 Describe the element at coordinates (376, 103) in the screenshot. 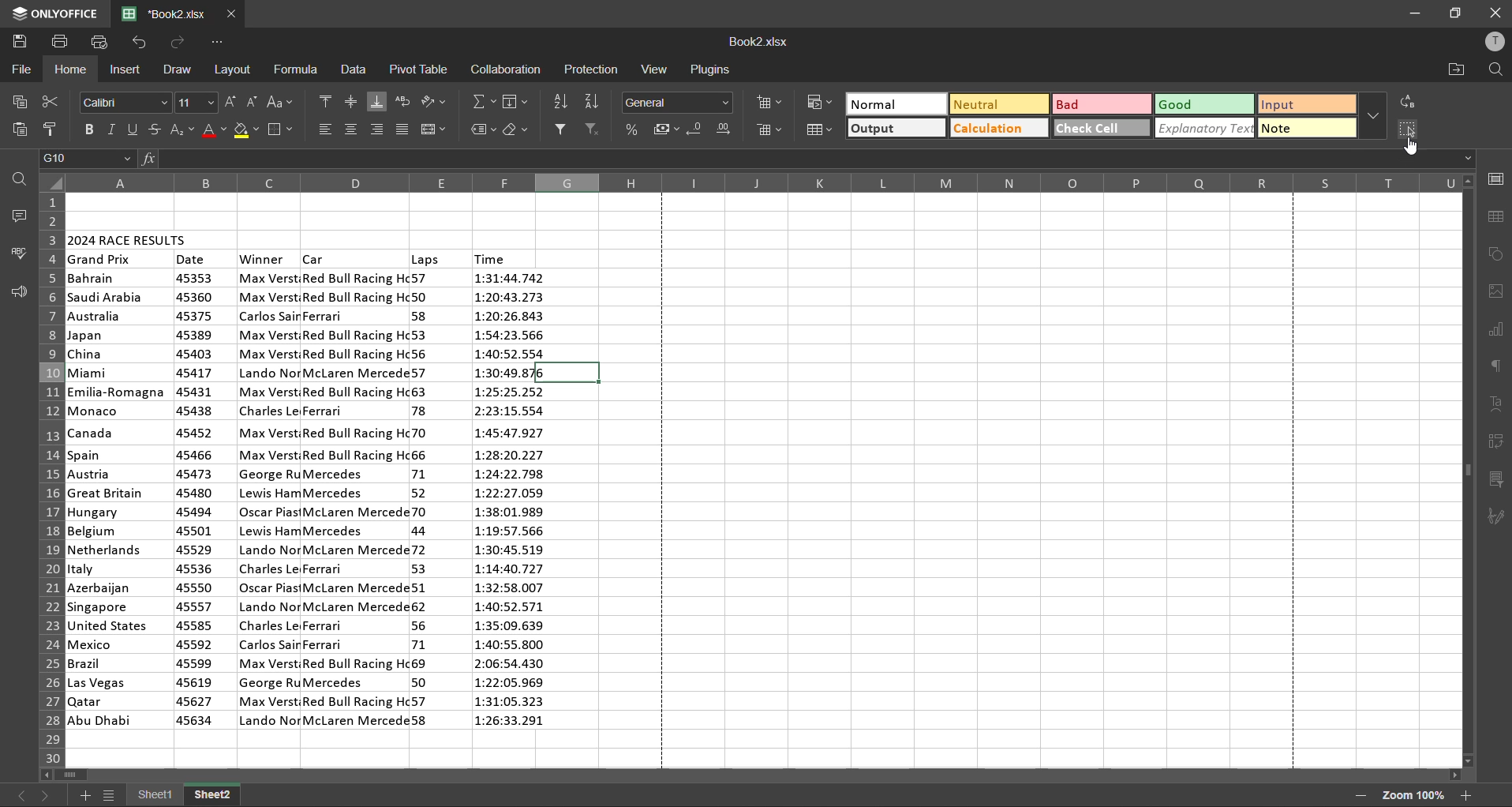

I see `align bottom` at that location.